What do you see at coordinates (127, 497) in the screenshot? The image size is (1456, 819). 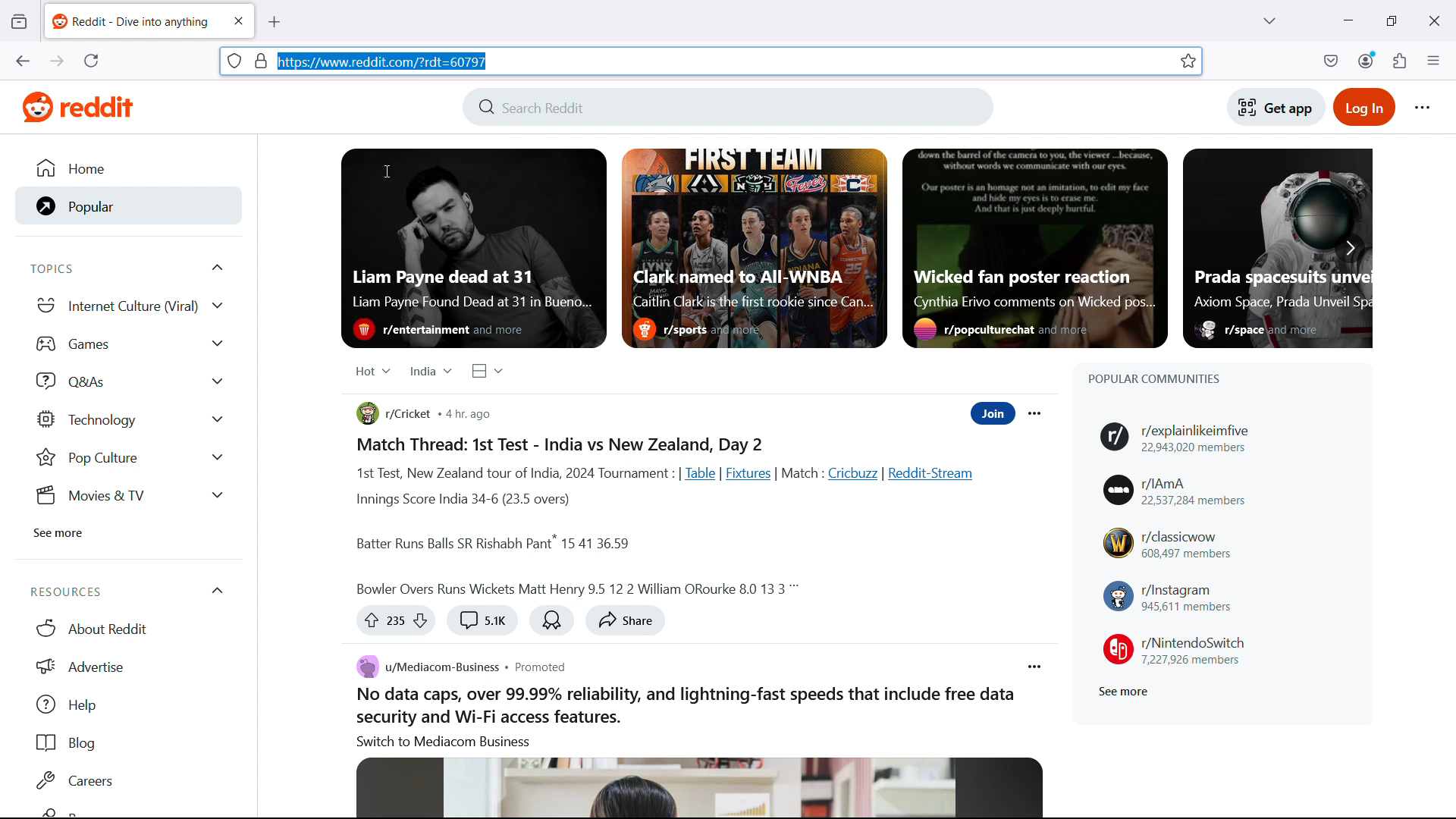 I see `Movies  & tv` at bounding box center [127, 497].